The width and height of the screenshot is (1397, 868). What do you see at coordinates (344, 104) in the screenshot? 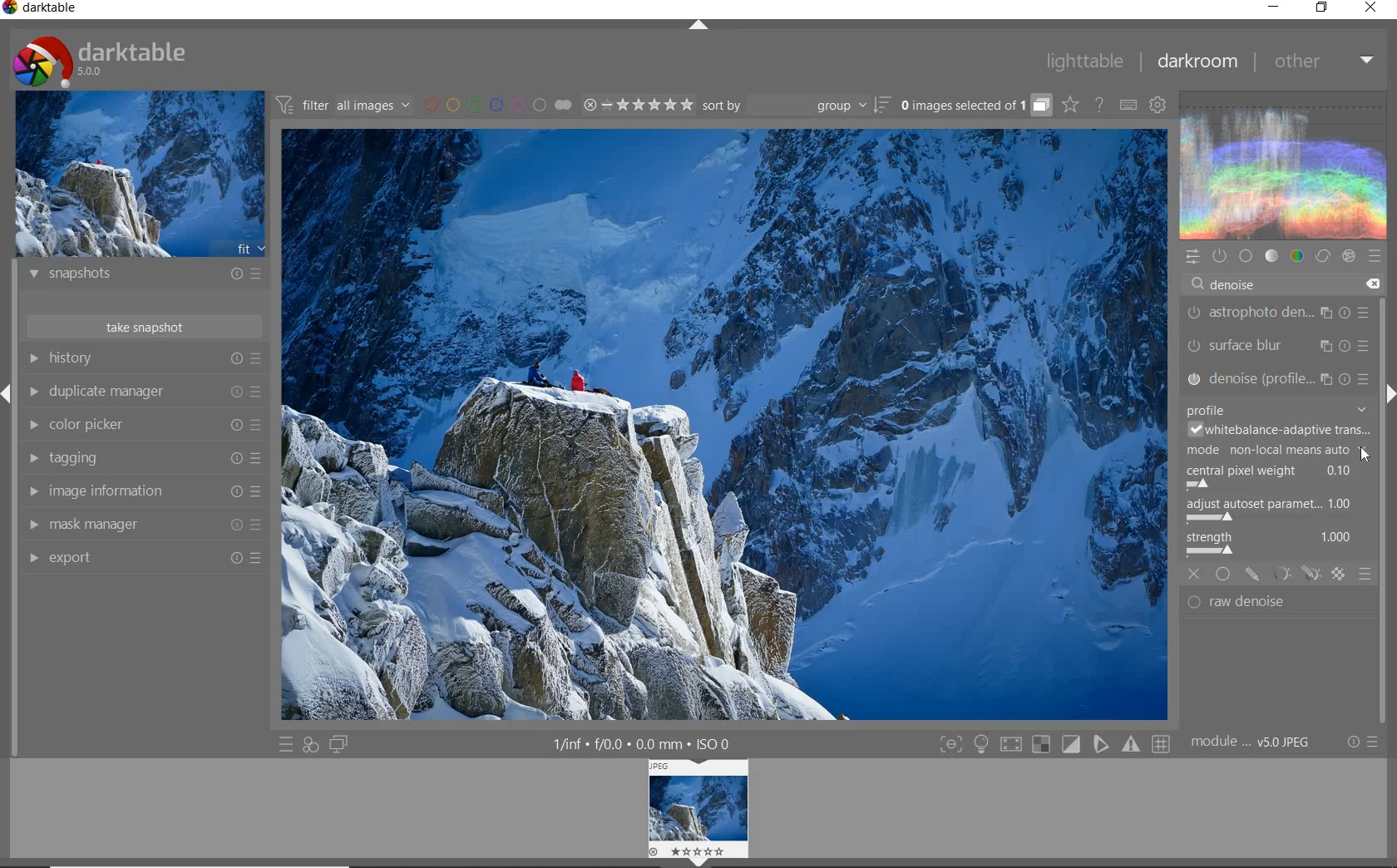
I see `filter all images by module order` at bounding box center [344, 104].